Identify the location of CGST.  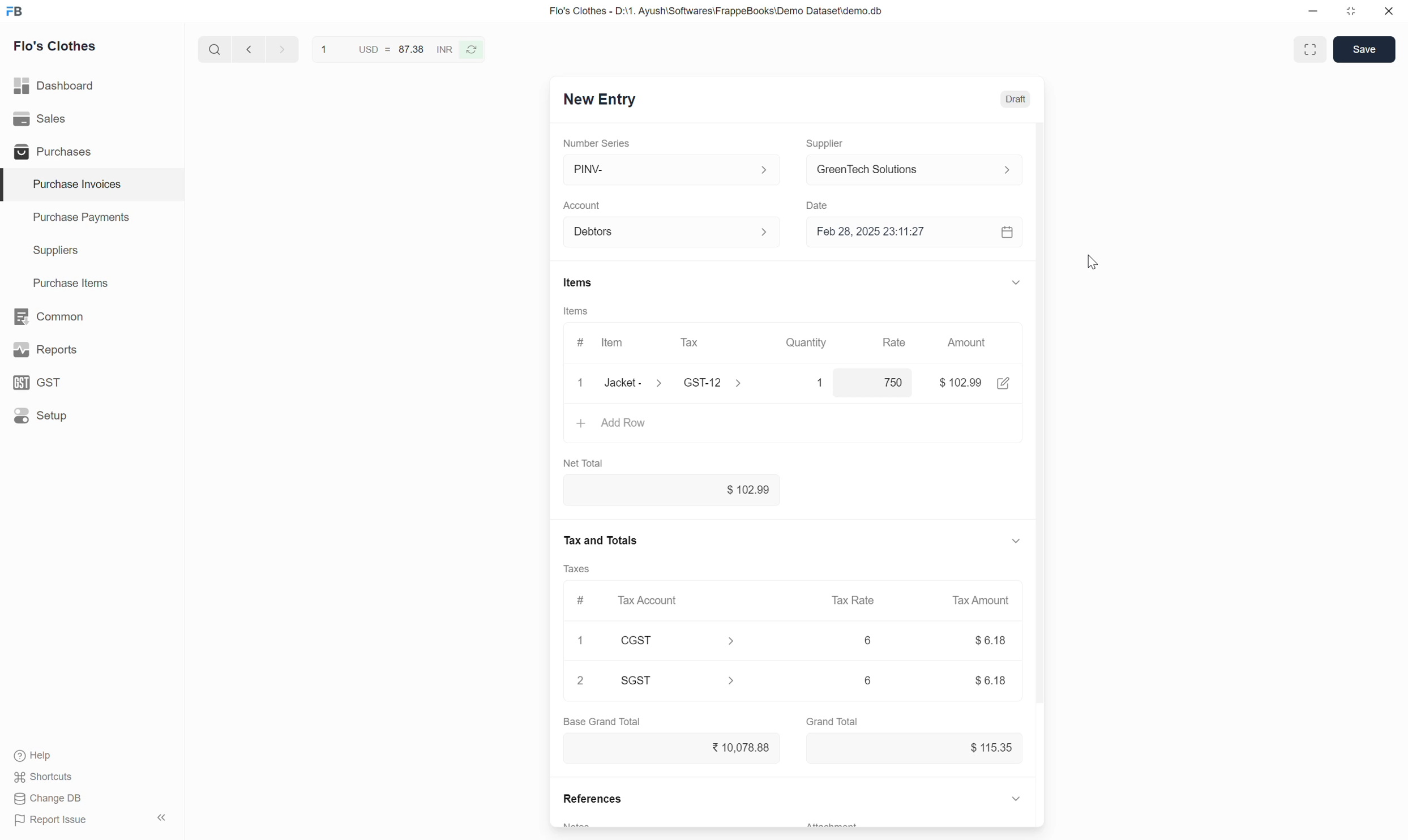
(678, 640).